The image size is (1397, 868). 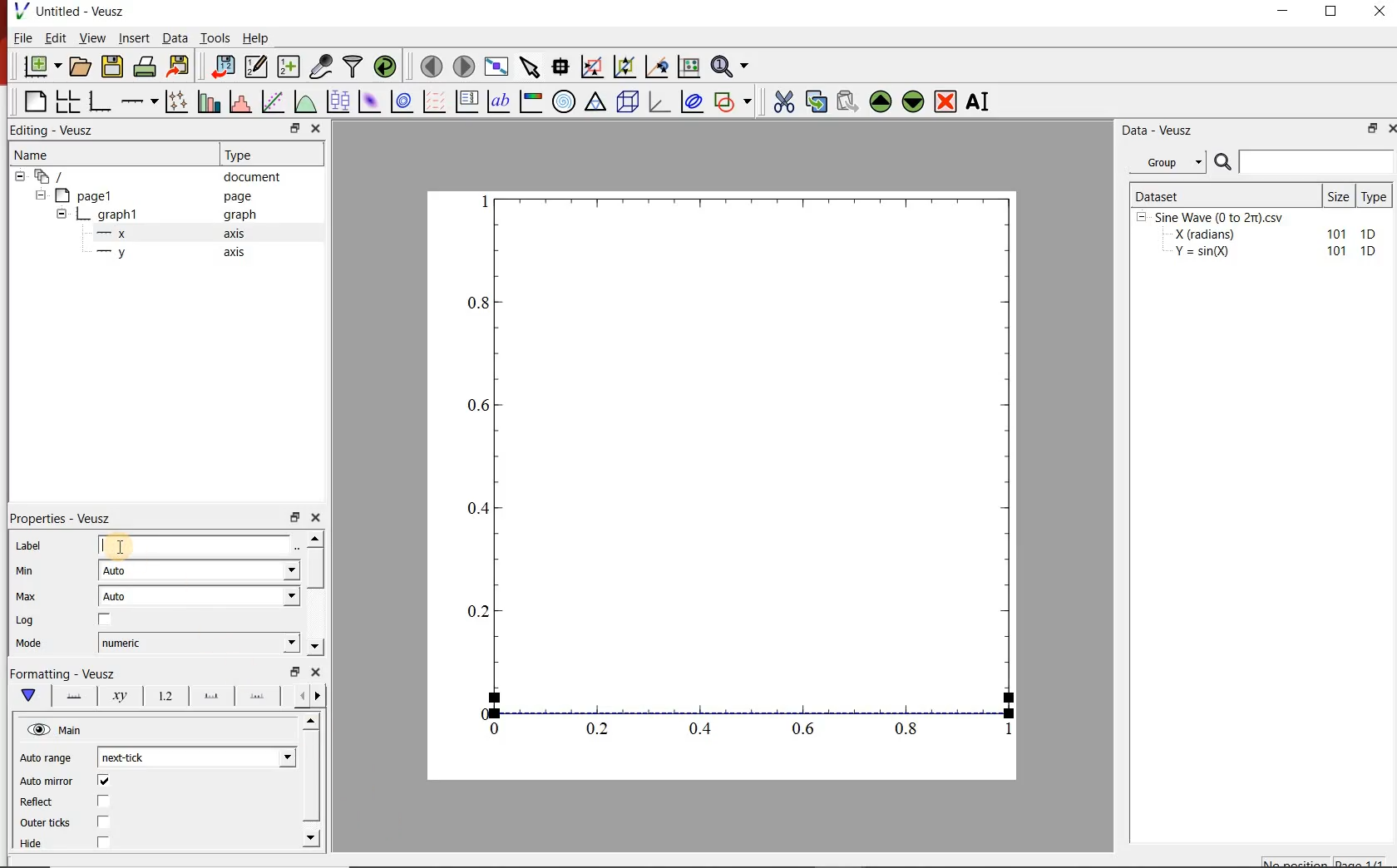 I want to click on graph, so click(x=238, y=214).